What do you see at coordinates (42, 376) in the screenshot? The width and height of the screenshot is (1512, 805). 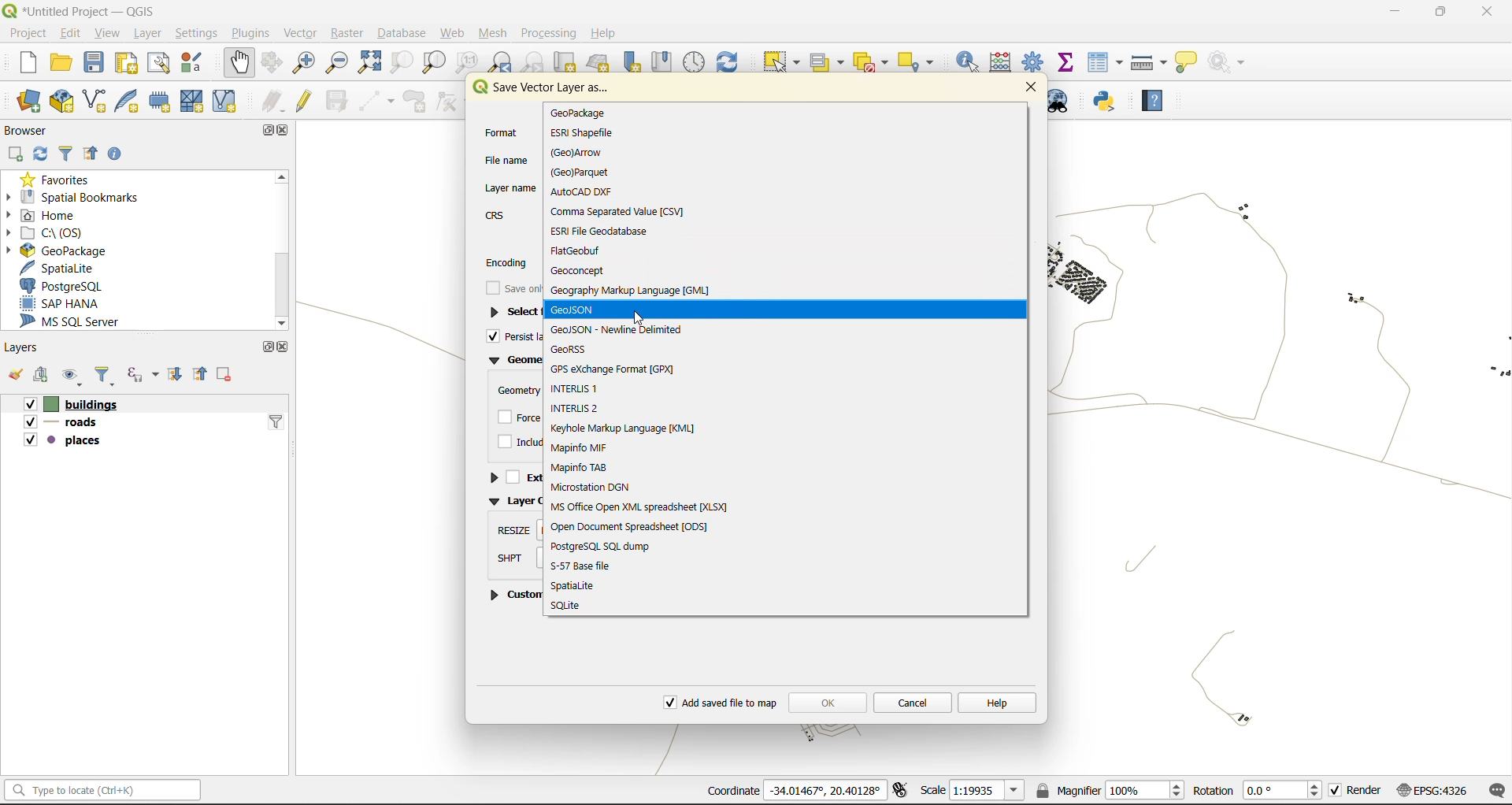 I see `add` at bounding box center [42, 376].